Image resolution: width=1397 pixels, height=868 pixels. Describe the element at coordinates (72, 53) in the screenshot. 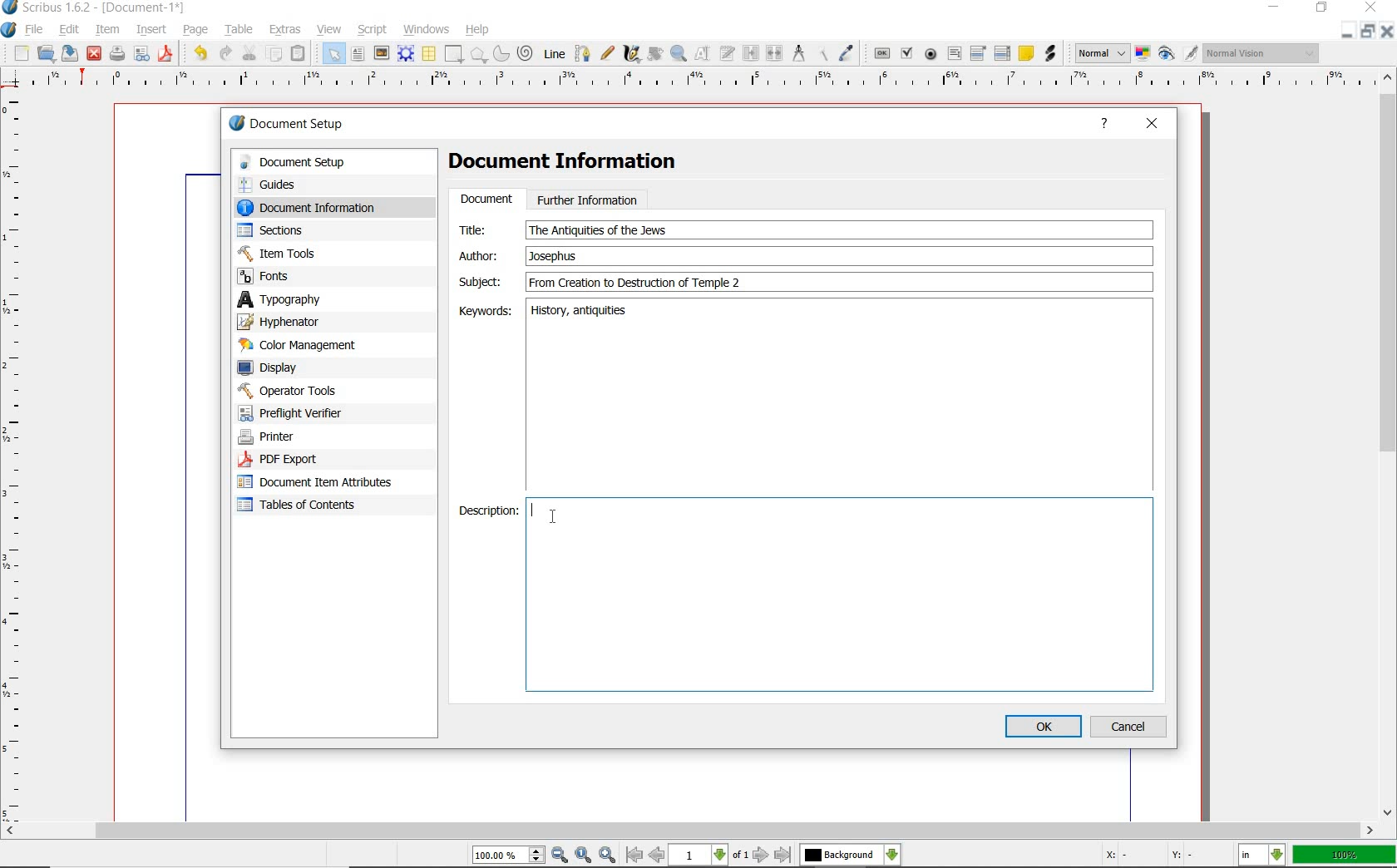

I see `save` at that location.